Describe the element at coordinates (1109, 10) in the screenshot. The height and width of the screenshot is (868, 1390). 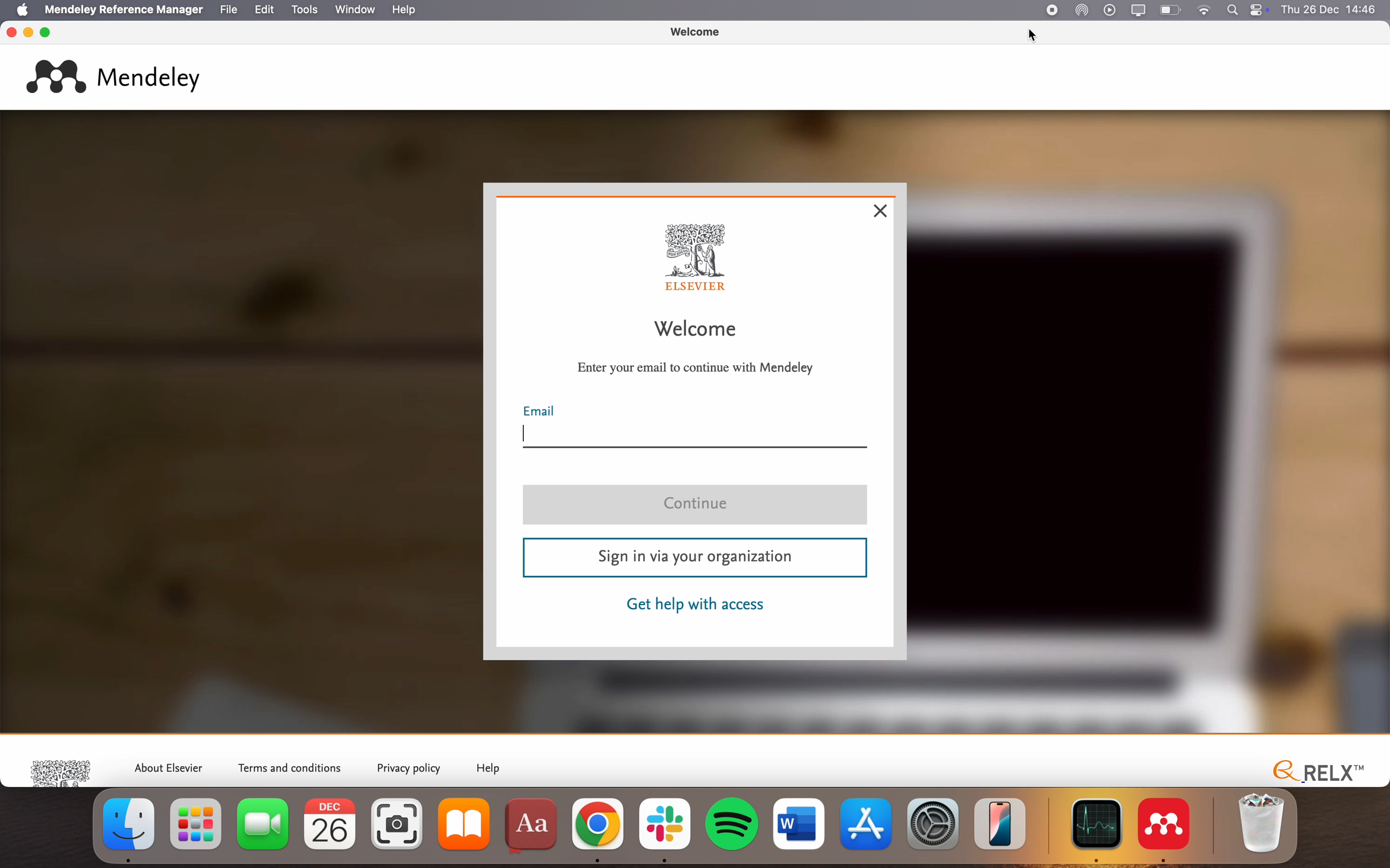
I see `play` at that location.